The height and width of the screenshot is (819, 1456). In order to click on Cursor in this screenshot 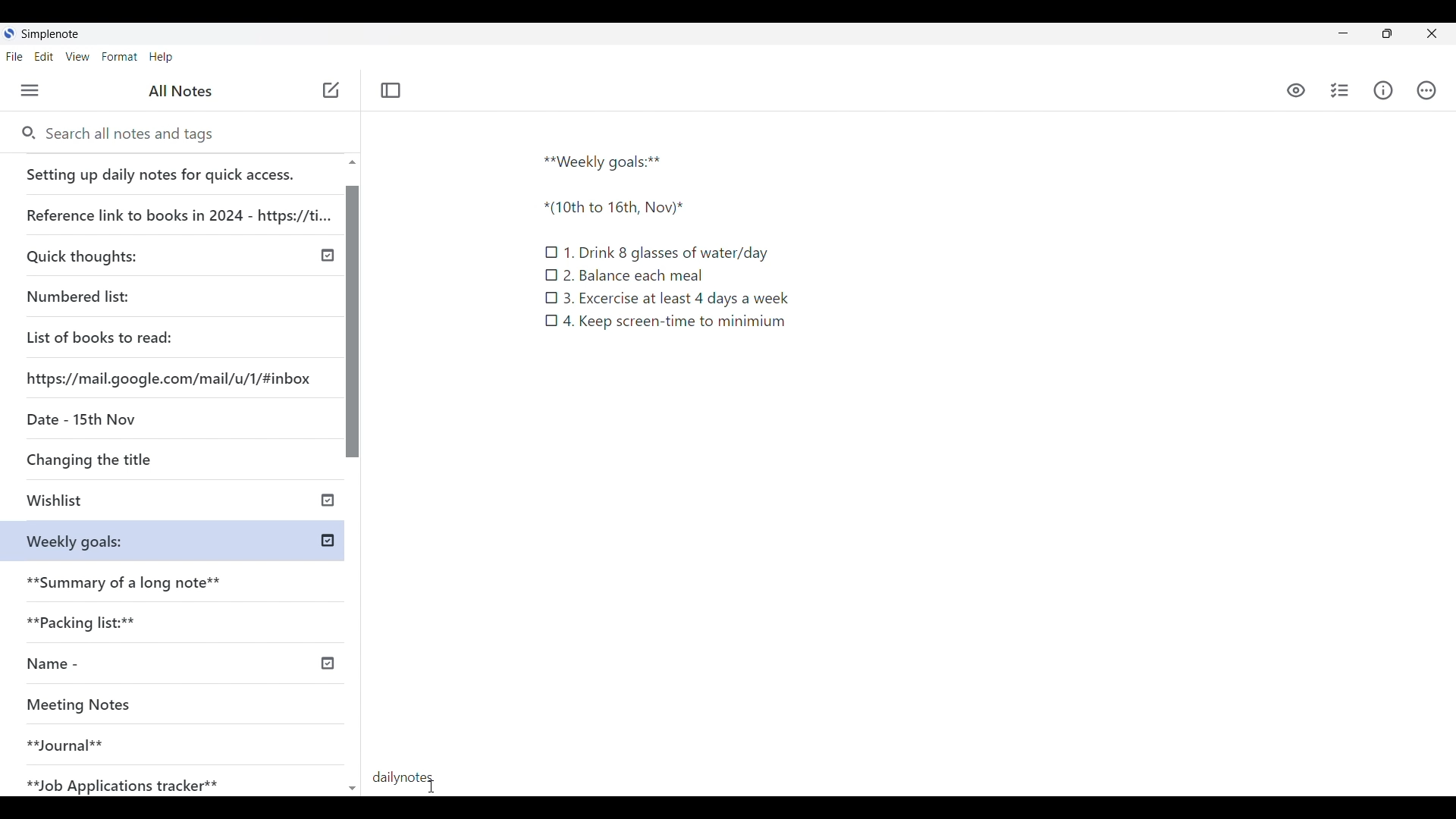, I will do `click(429, 784)`.